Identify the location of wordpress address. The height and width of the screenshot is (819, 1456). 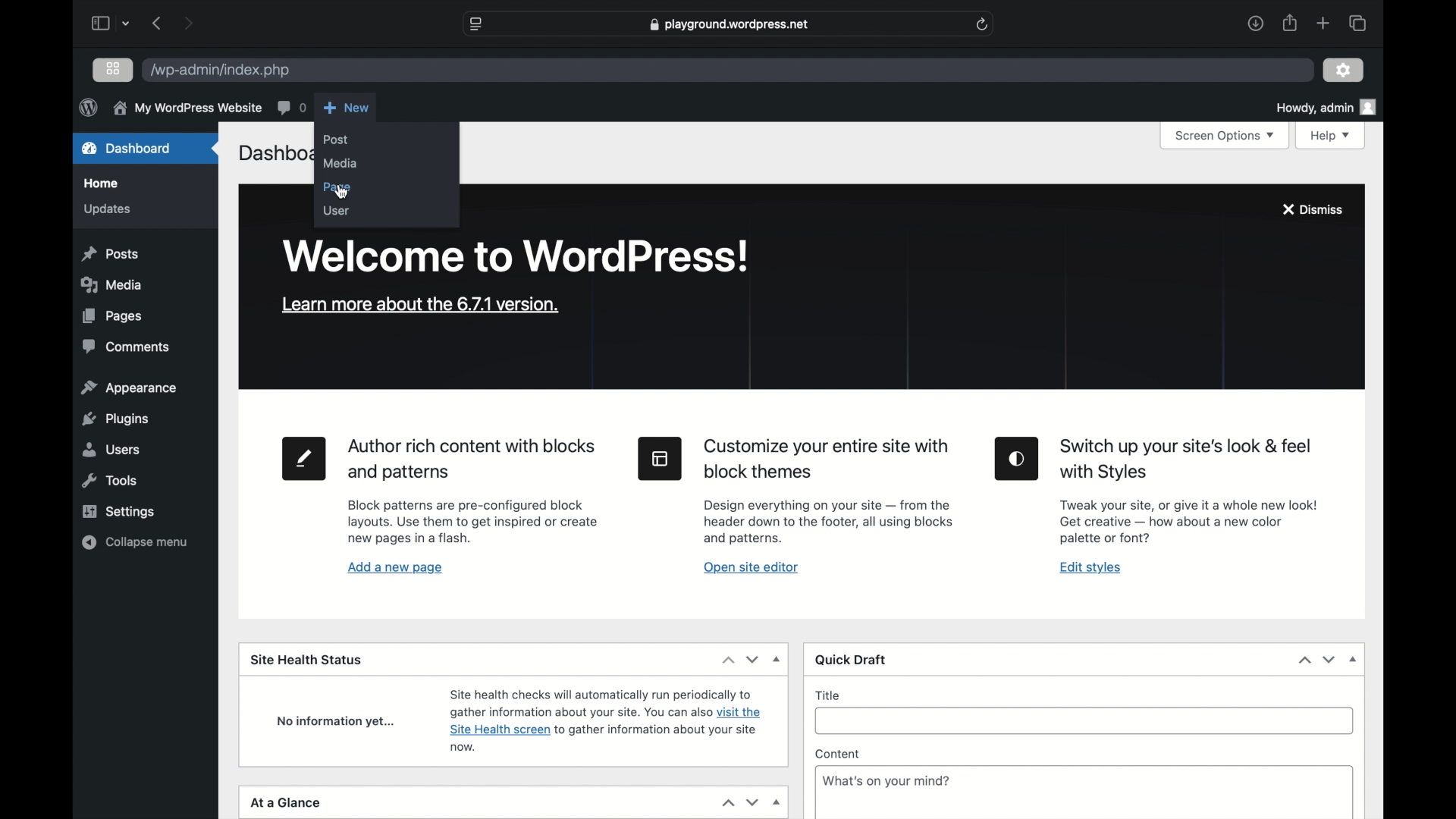
(219, 71).